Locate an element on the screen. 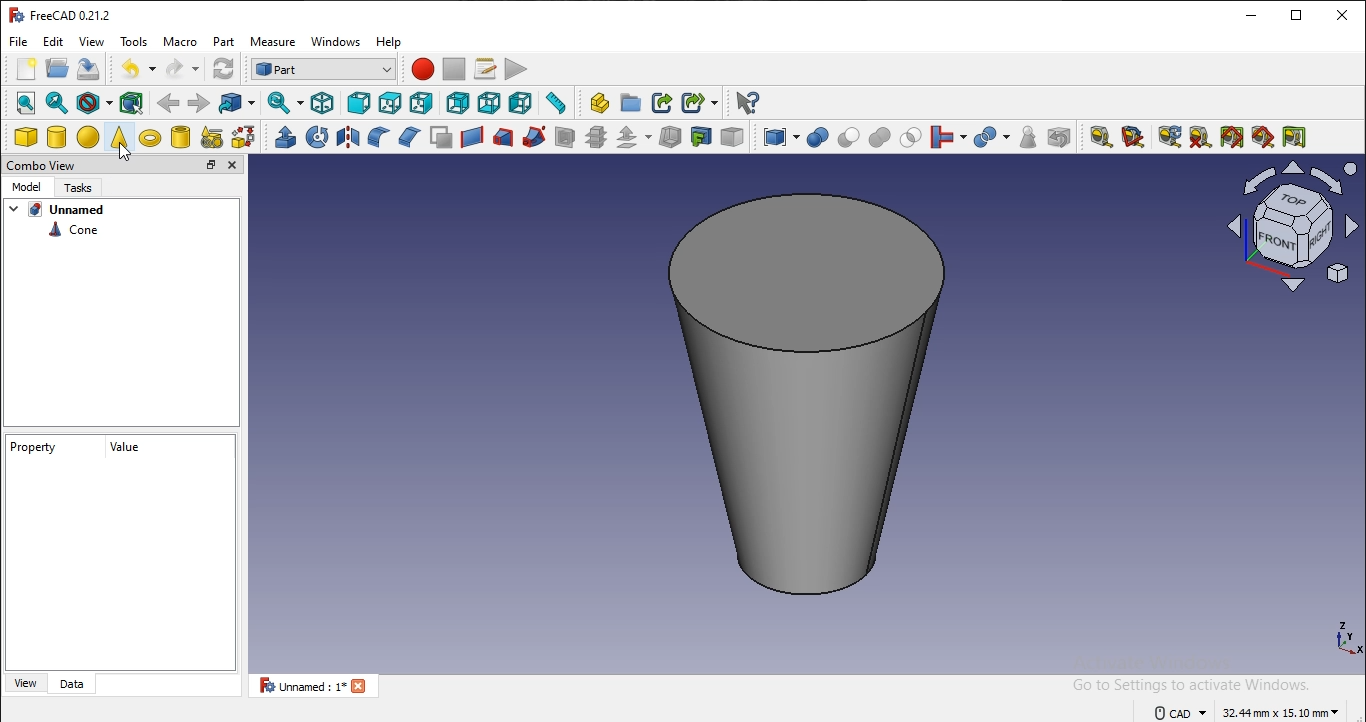 This screenshot has width=1366, height=722. measure is located at coordinates (272, 42).